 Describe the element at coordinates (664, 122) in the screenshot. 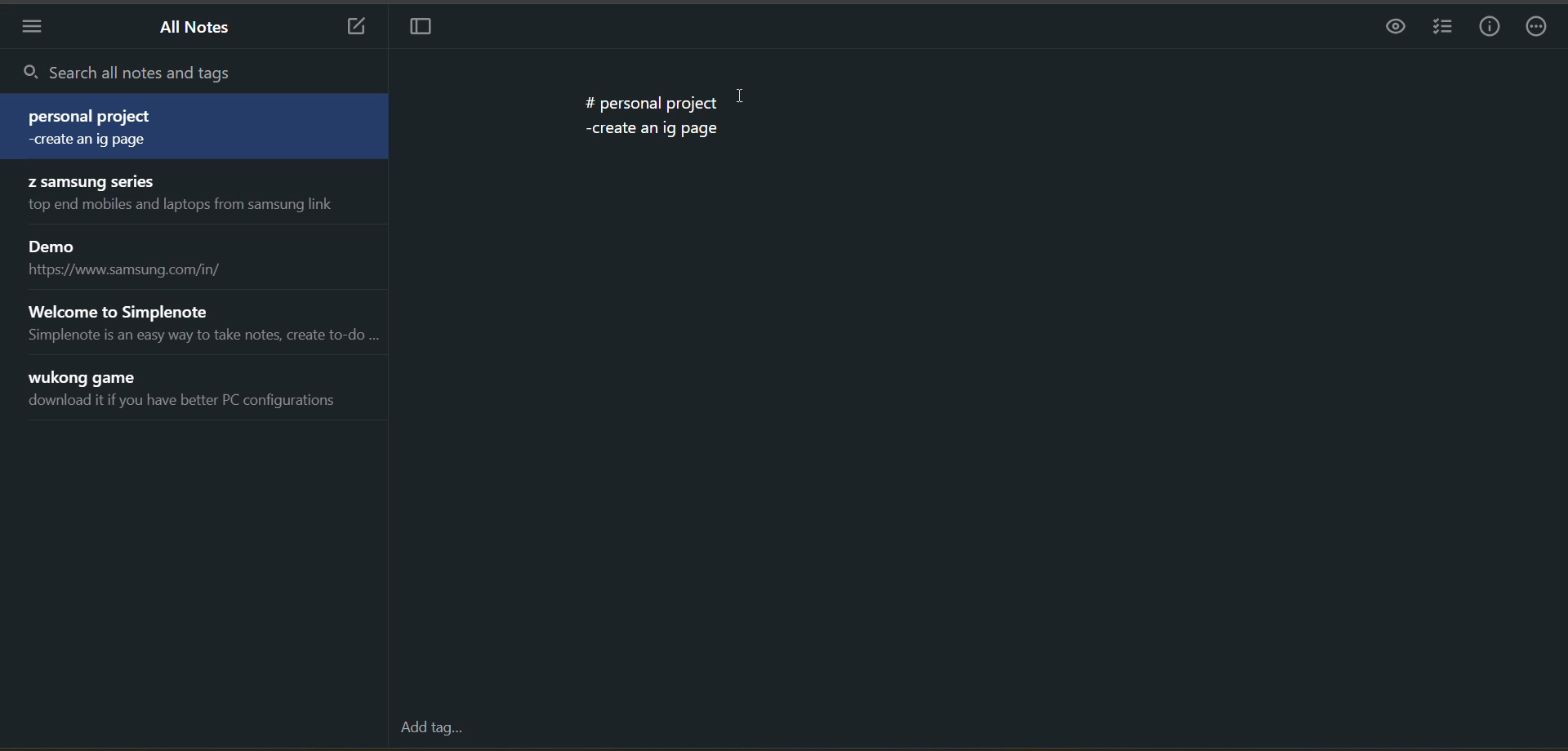

I see `data from the current notes` at that location.